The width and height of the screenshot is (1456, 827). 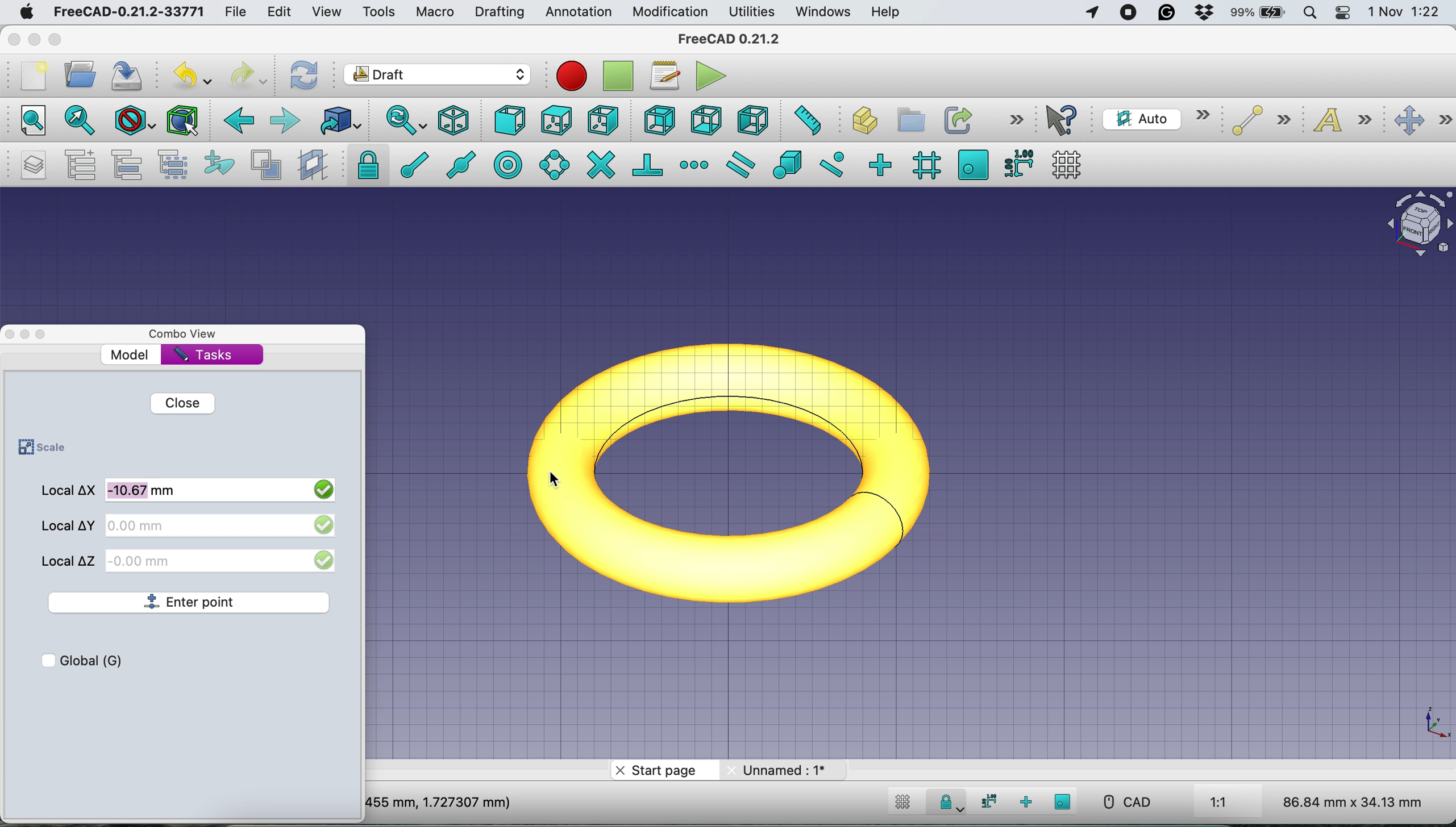 I want to click on bounding box, so click(x=183, y=121).